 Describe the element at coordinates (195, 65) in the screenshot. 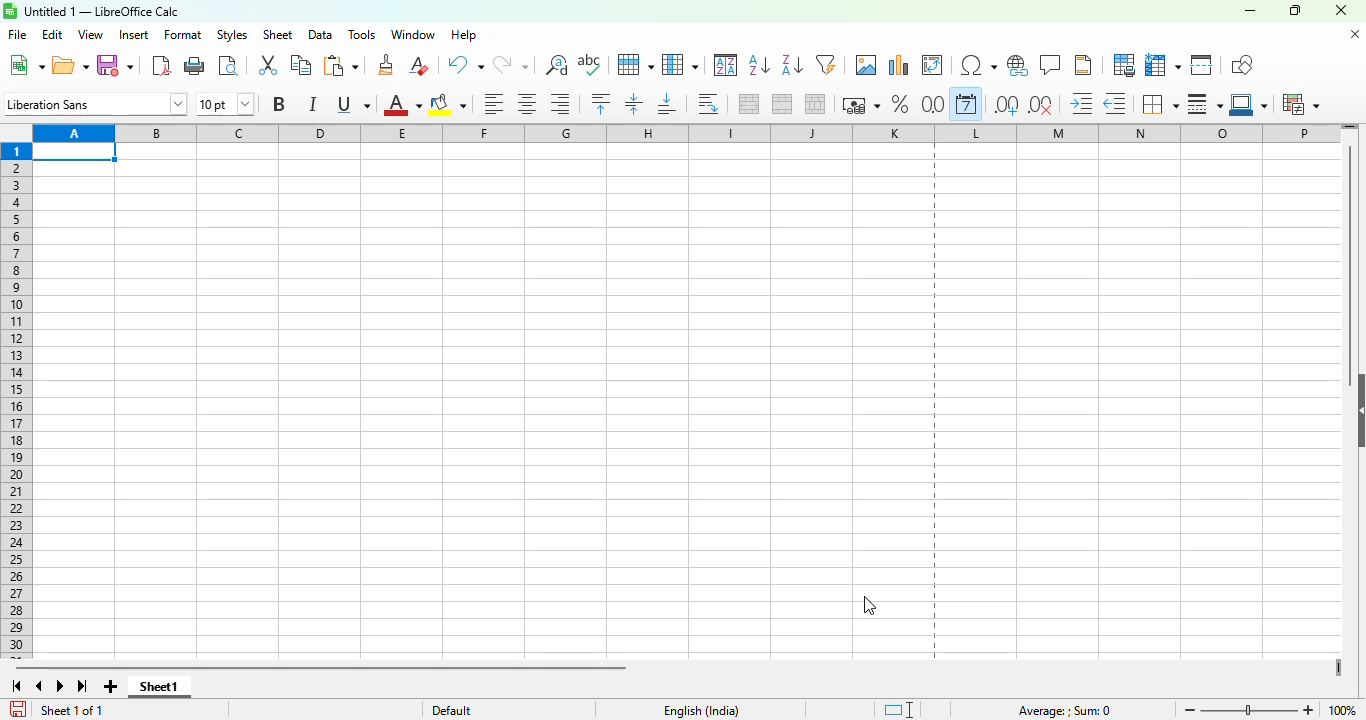

I see `print` at that location.